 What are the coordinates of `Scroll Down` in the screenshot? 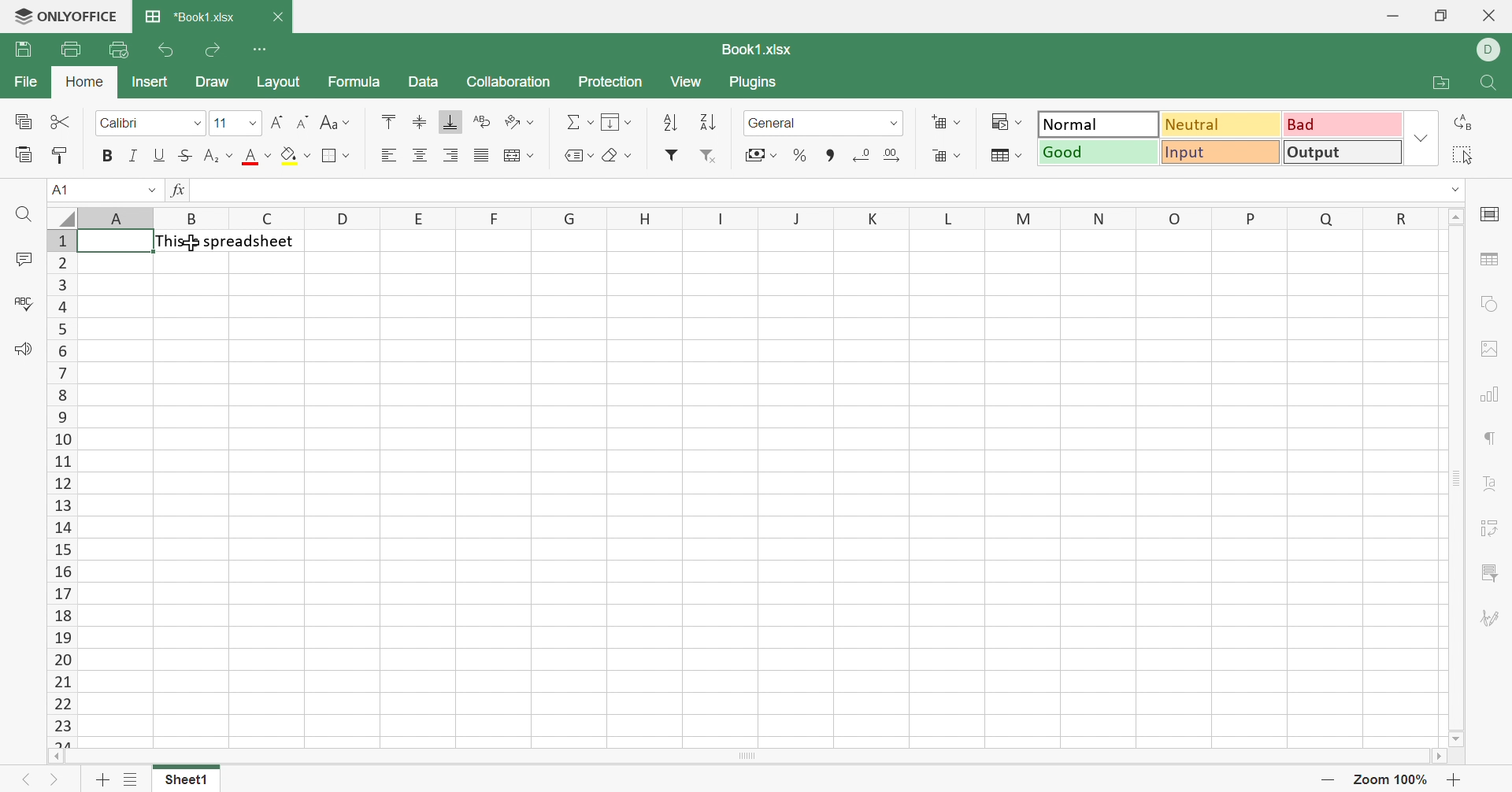 It's located at (1453, 738).